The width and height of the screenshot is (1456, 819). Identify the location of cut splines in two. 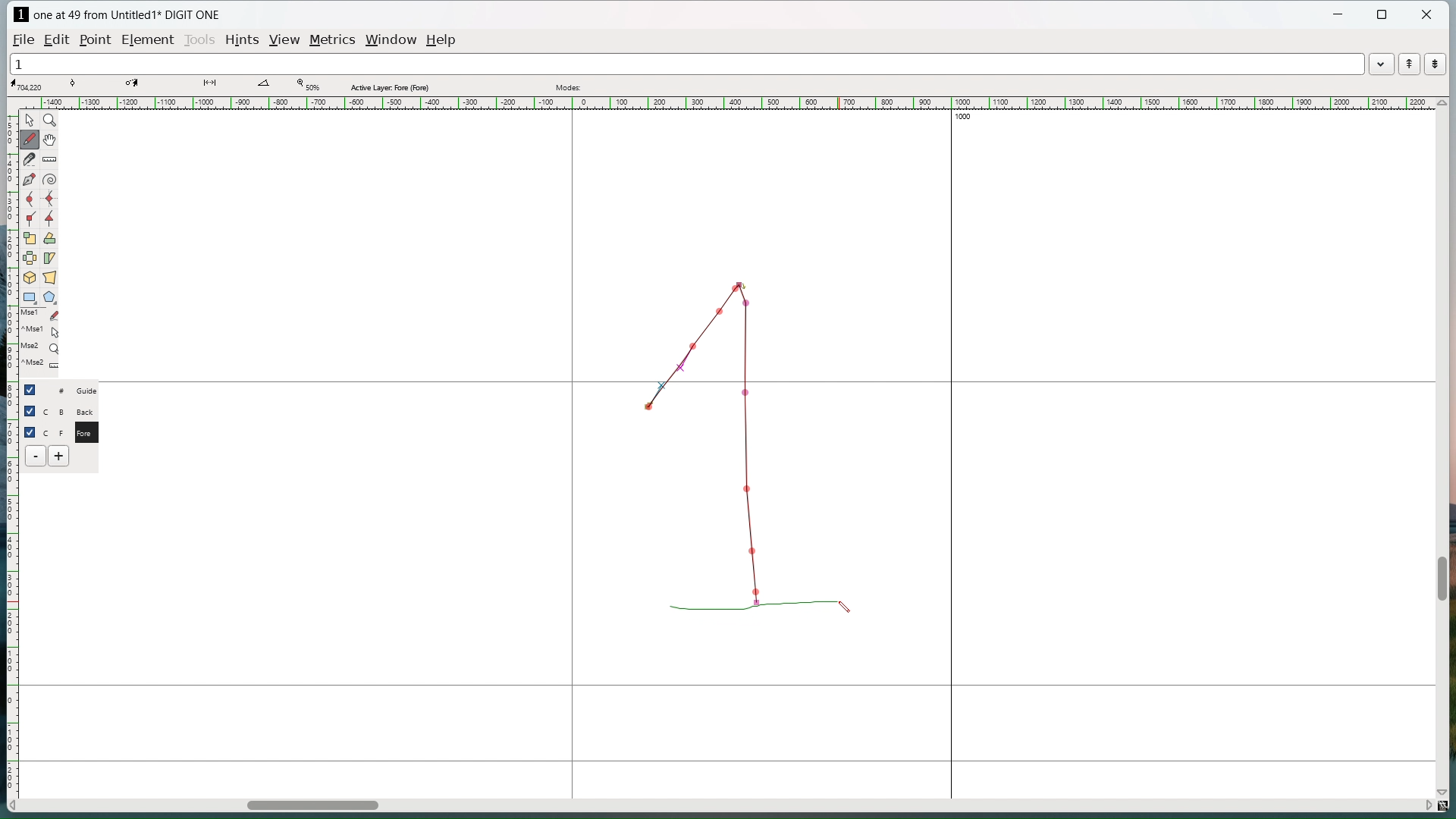
(30, 159).